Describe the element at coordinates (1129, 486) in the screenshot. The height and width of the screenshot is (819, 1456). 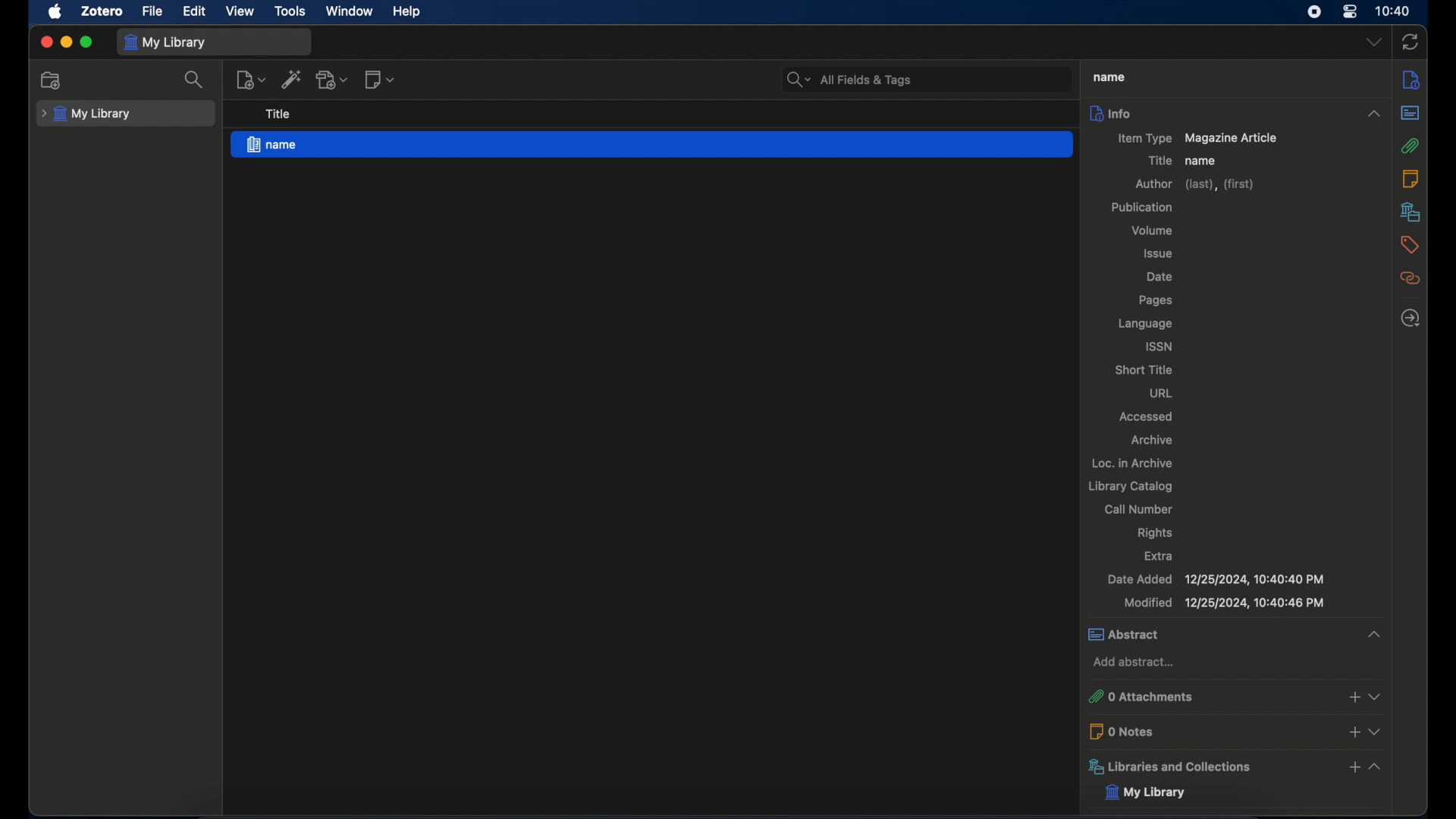
I see `library catalog` at that location.